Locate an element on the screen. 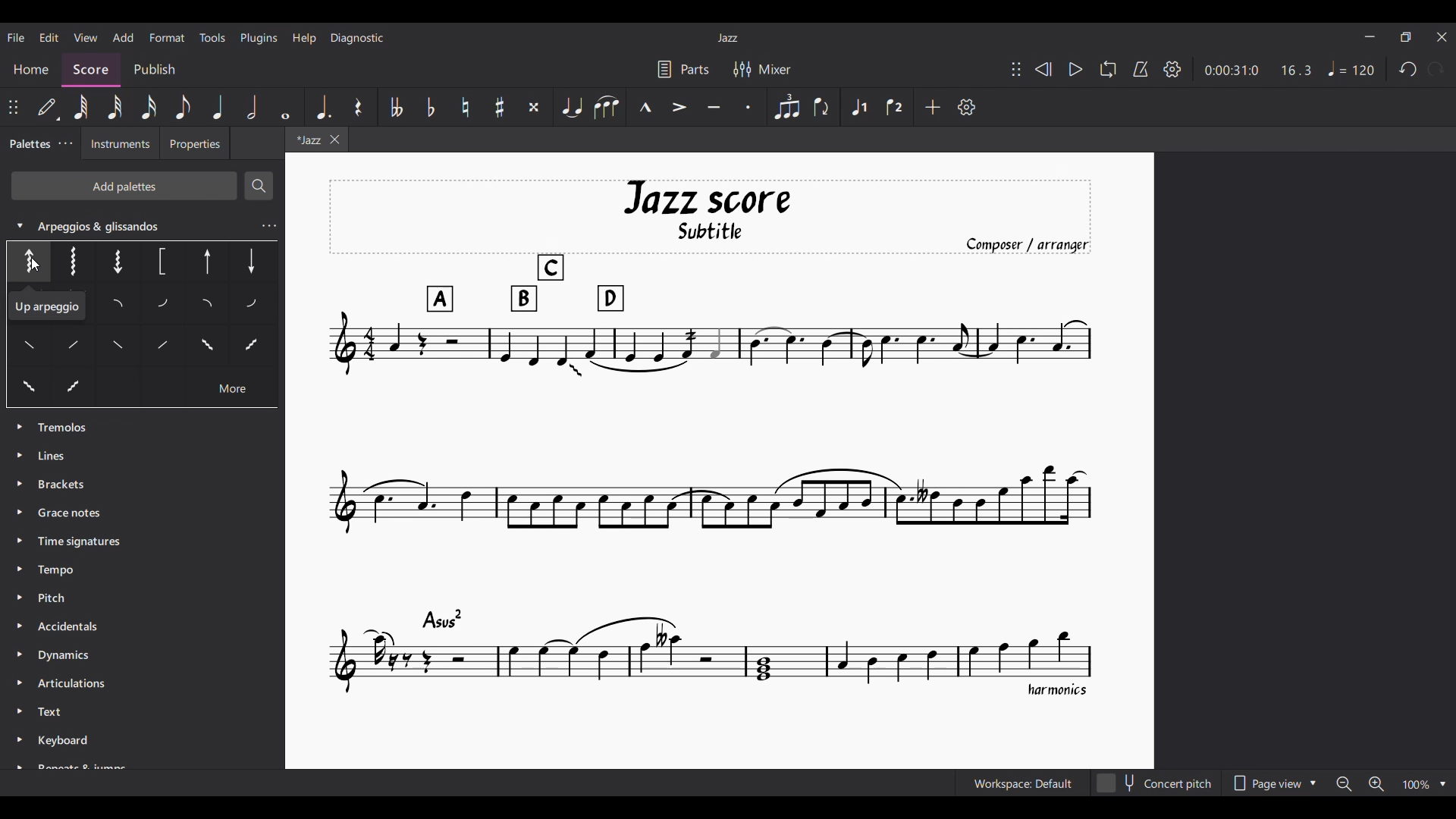 This screenshot has height=819, width=1456. Add is located at coordinates (934, 107).